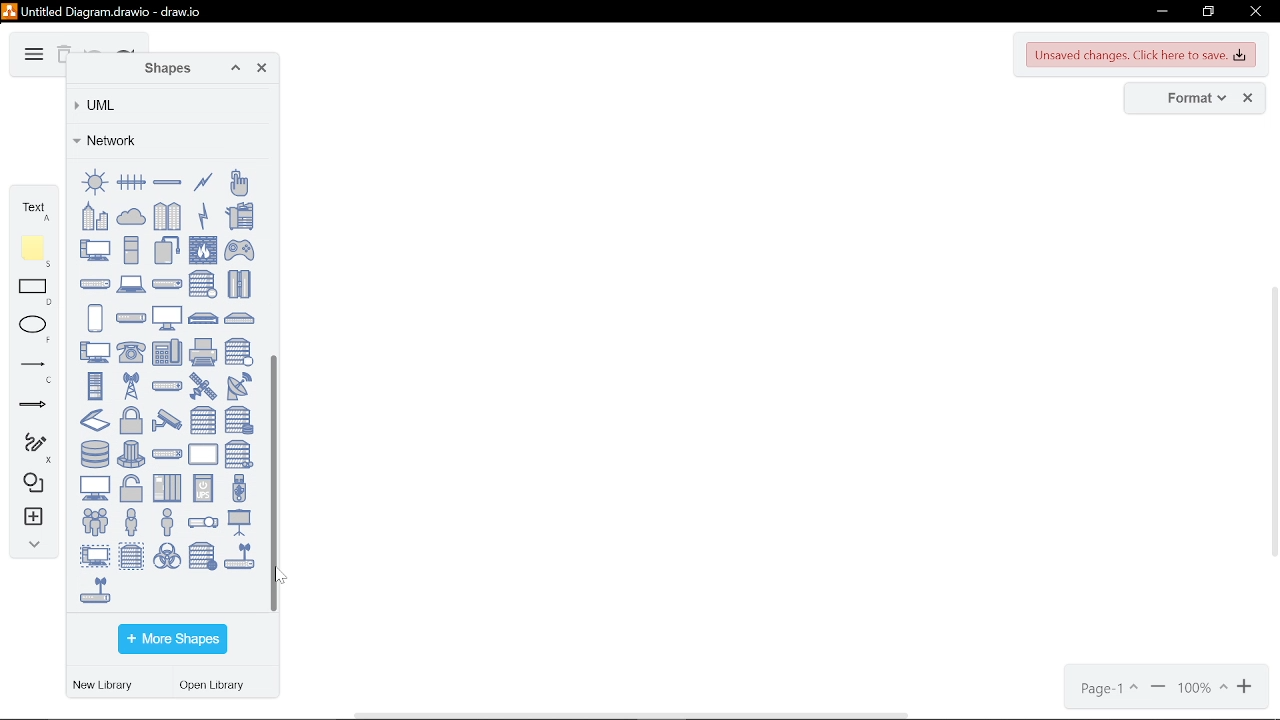 This screenshot has width=1280, height=720. Describe the element at coordinates (239, 420) in the screenshot. I see `server storage` at that location.